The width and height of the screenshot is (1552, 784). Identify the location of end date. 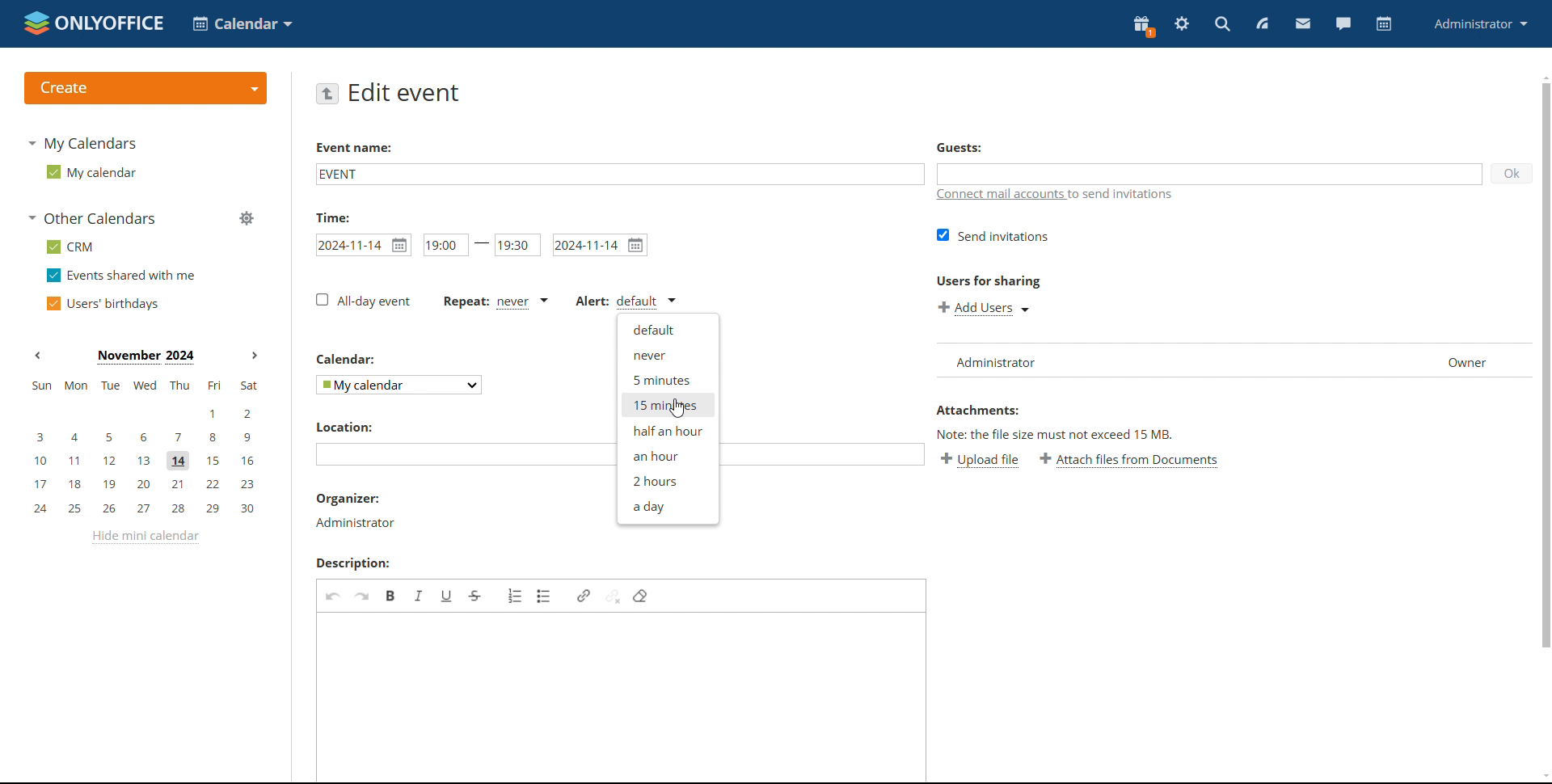
(600, 245).